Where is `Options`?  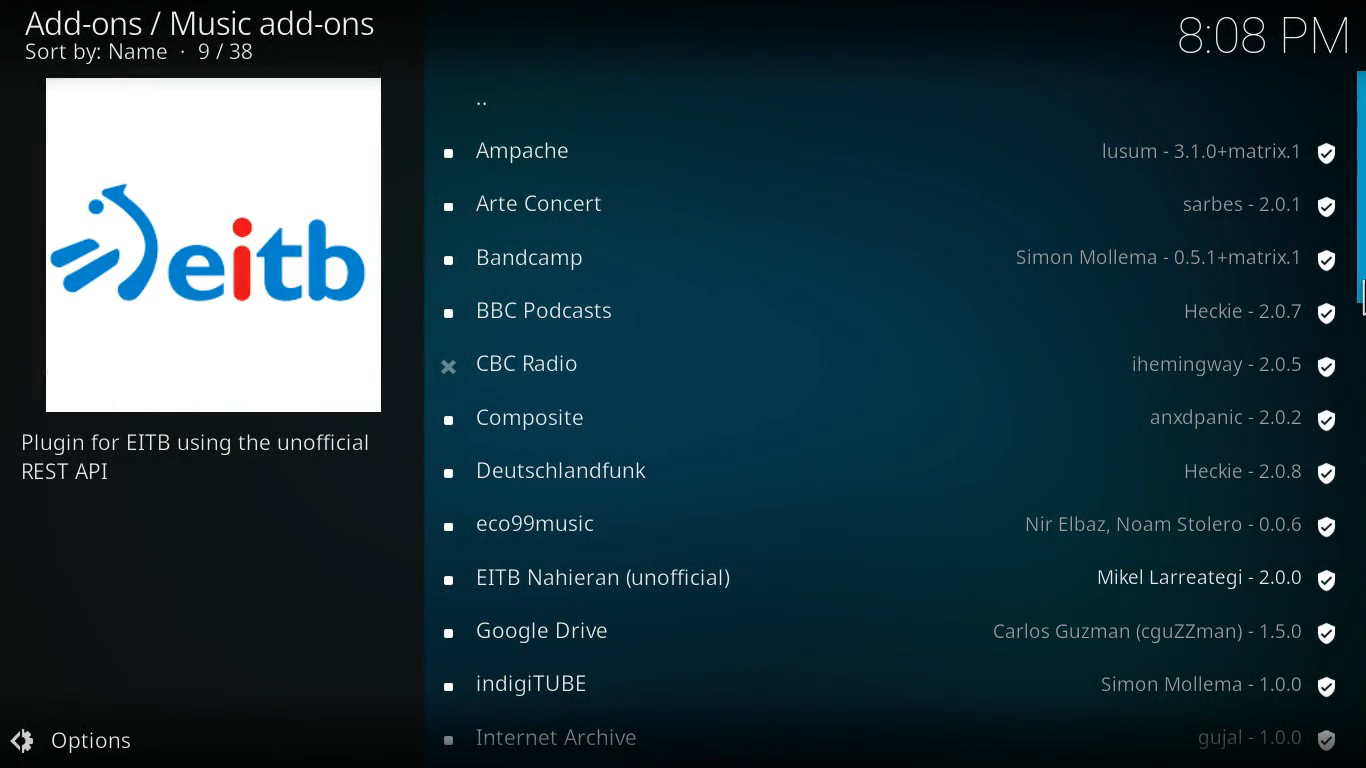 Options is located at coordinates (82, 741).